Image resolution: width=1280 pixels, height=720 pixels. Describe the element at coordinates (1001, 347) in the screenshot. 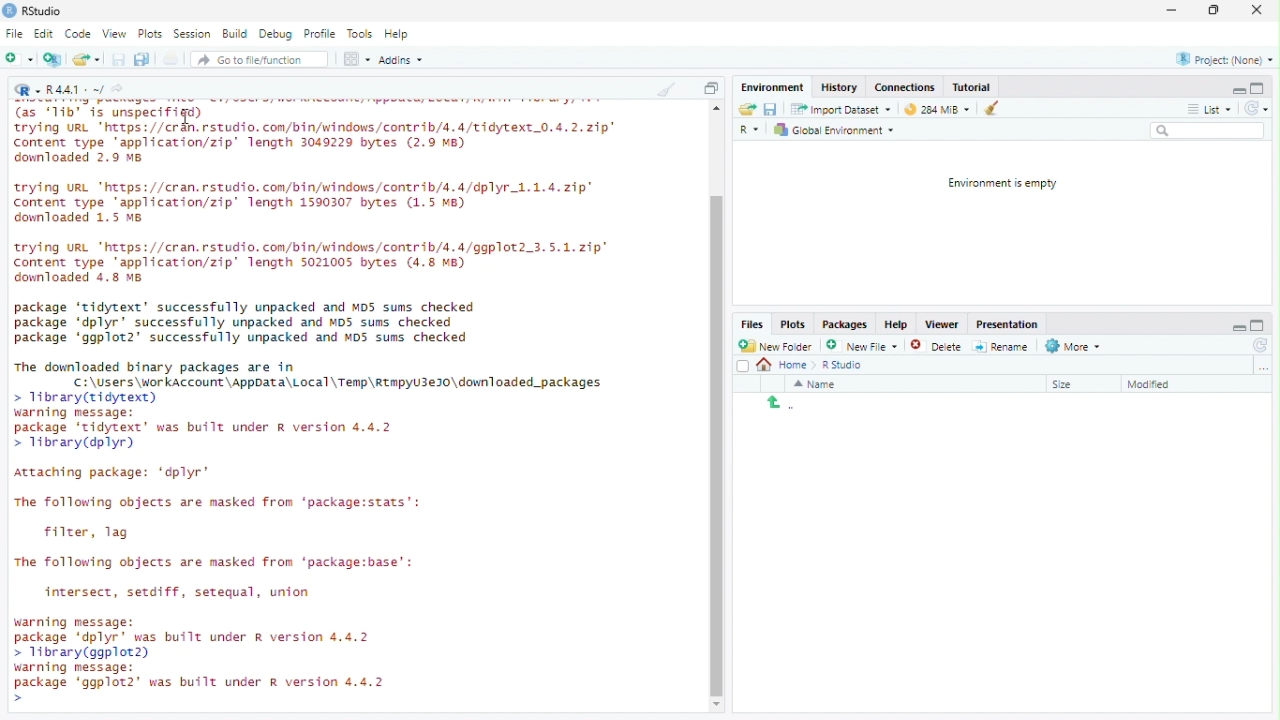

I see `Rename` at that location.